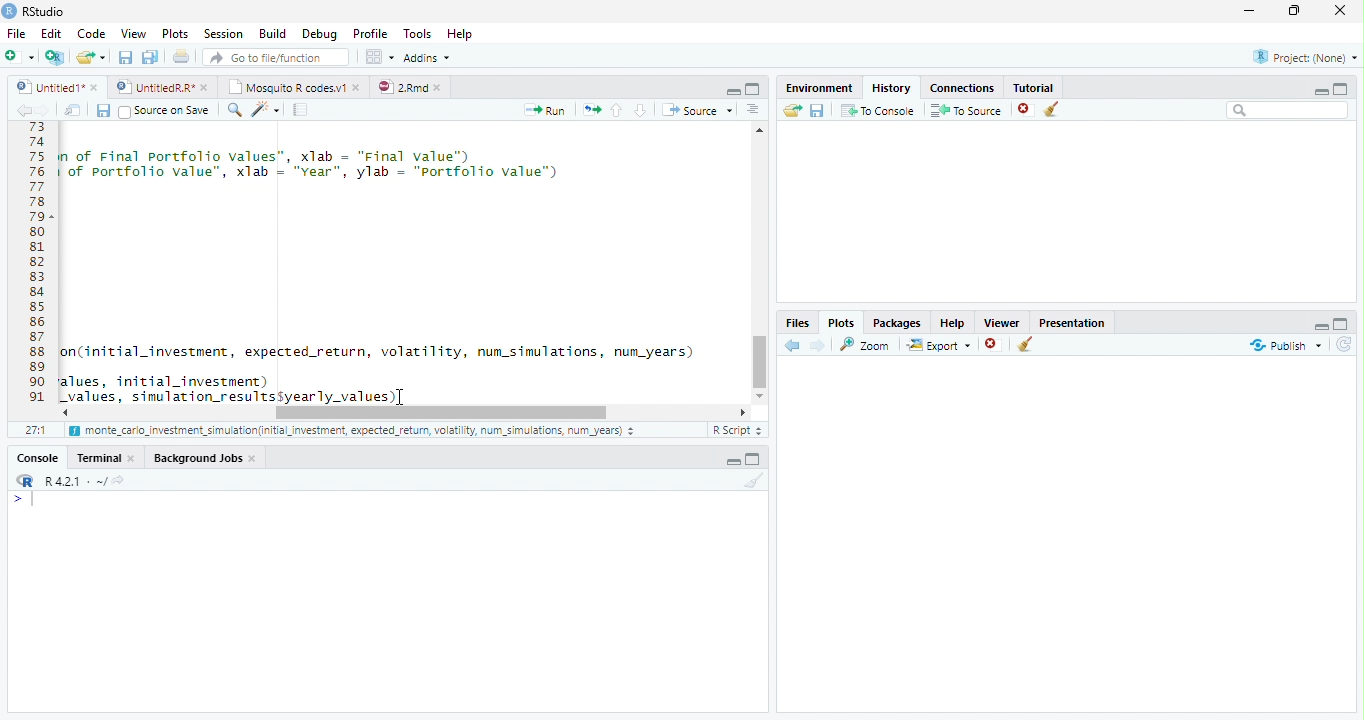 This screenshot has height=720, width=1364. What do you see at coordinates (793, 345) in the screenshot?
I see `Go to previous plot` at bounding box center [793, 345].